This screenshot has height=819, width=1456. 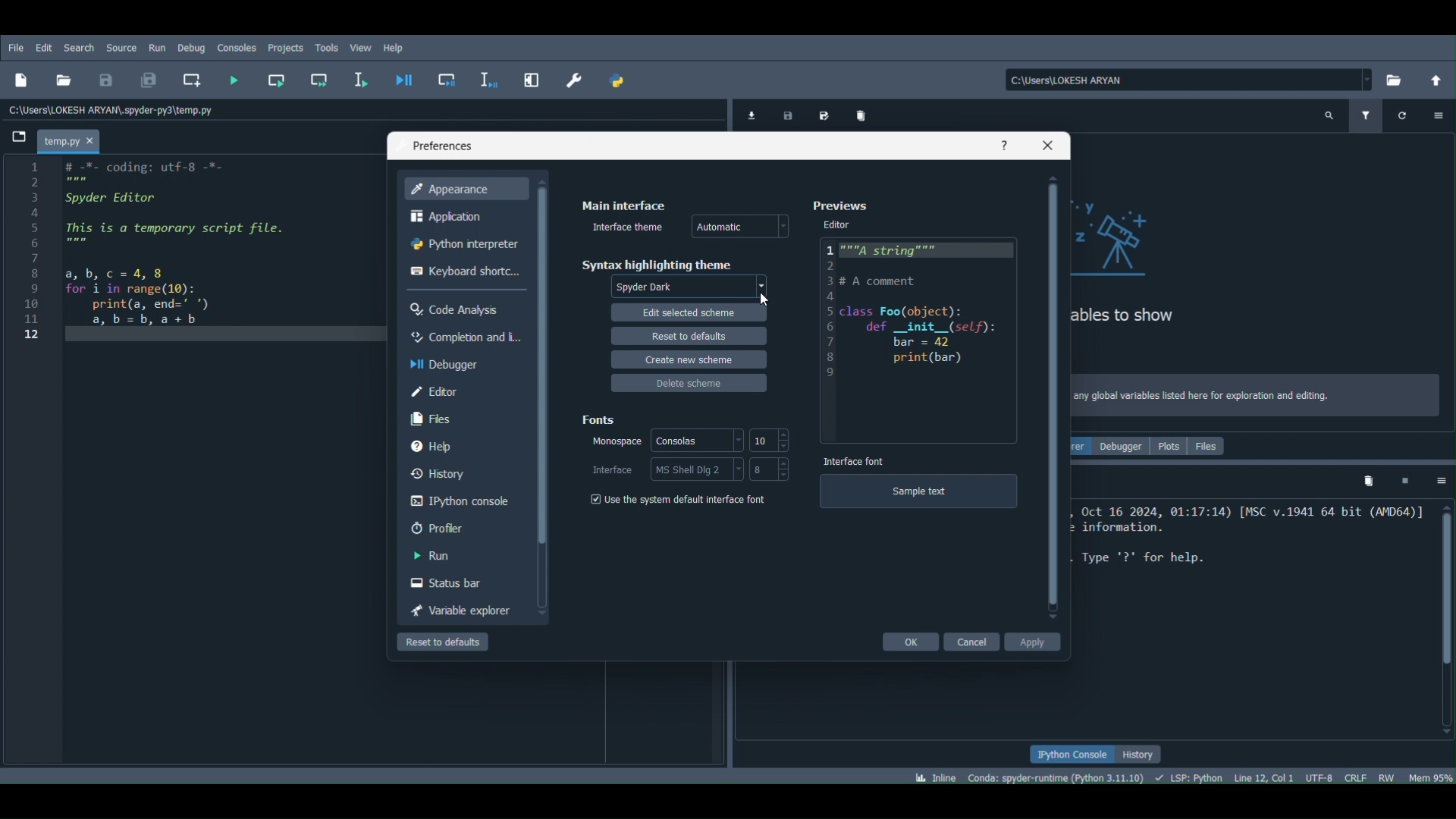 What do you see at coordinates (176, 255) in the screenshot?
I see `1  # -%- coding: utf-8 -*-
PE

3 Spyder Editor

a

5 This is a temporary script file.
§ mem

7

8 a bc=4,8

9 for i in range(10):

10 print(a, end=" *)
11 a,b=b,a+bh

12` at bounding box center [176, 255].